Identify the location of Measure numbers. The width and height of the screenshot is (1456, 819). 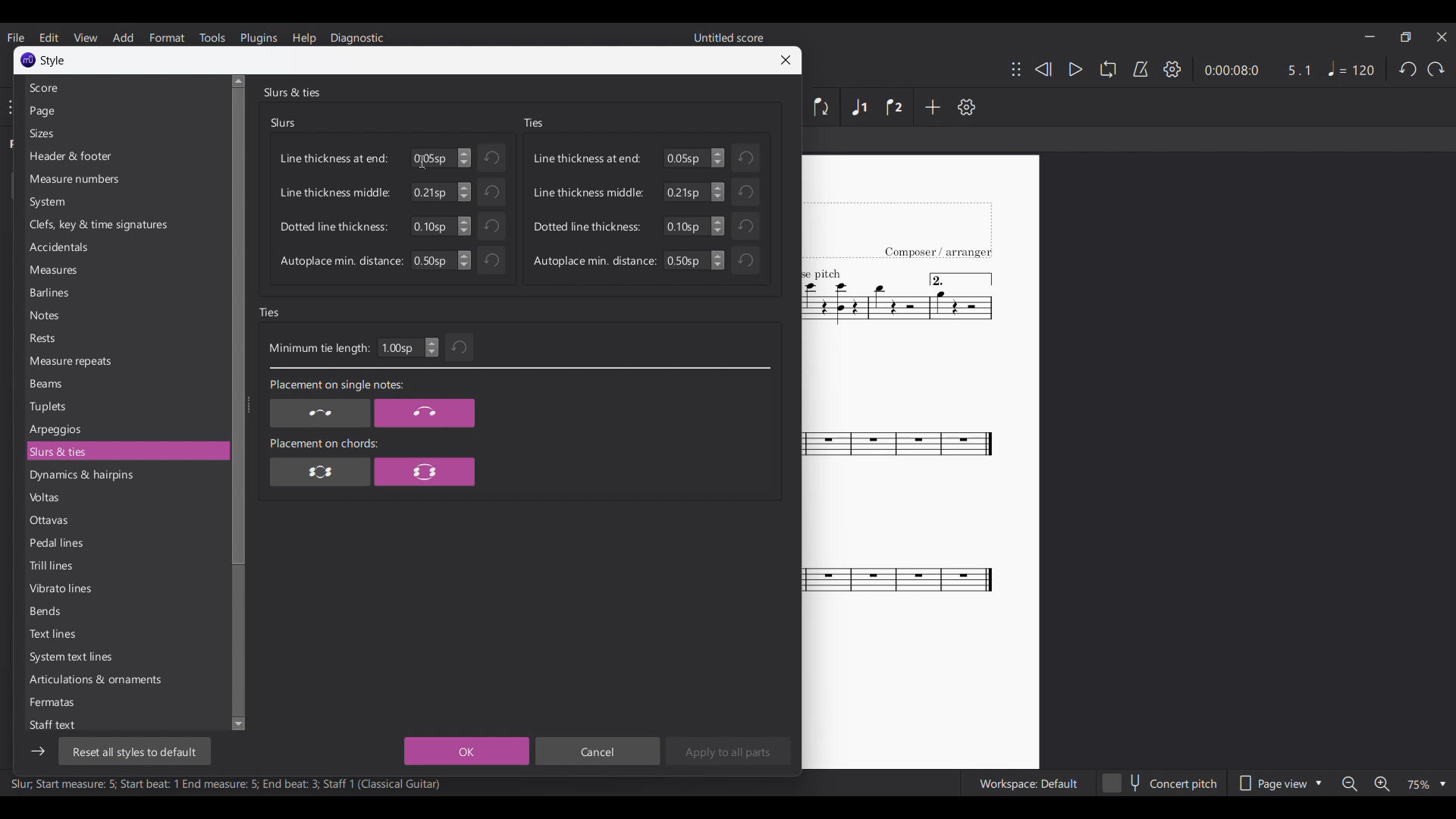
(125, 179).